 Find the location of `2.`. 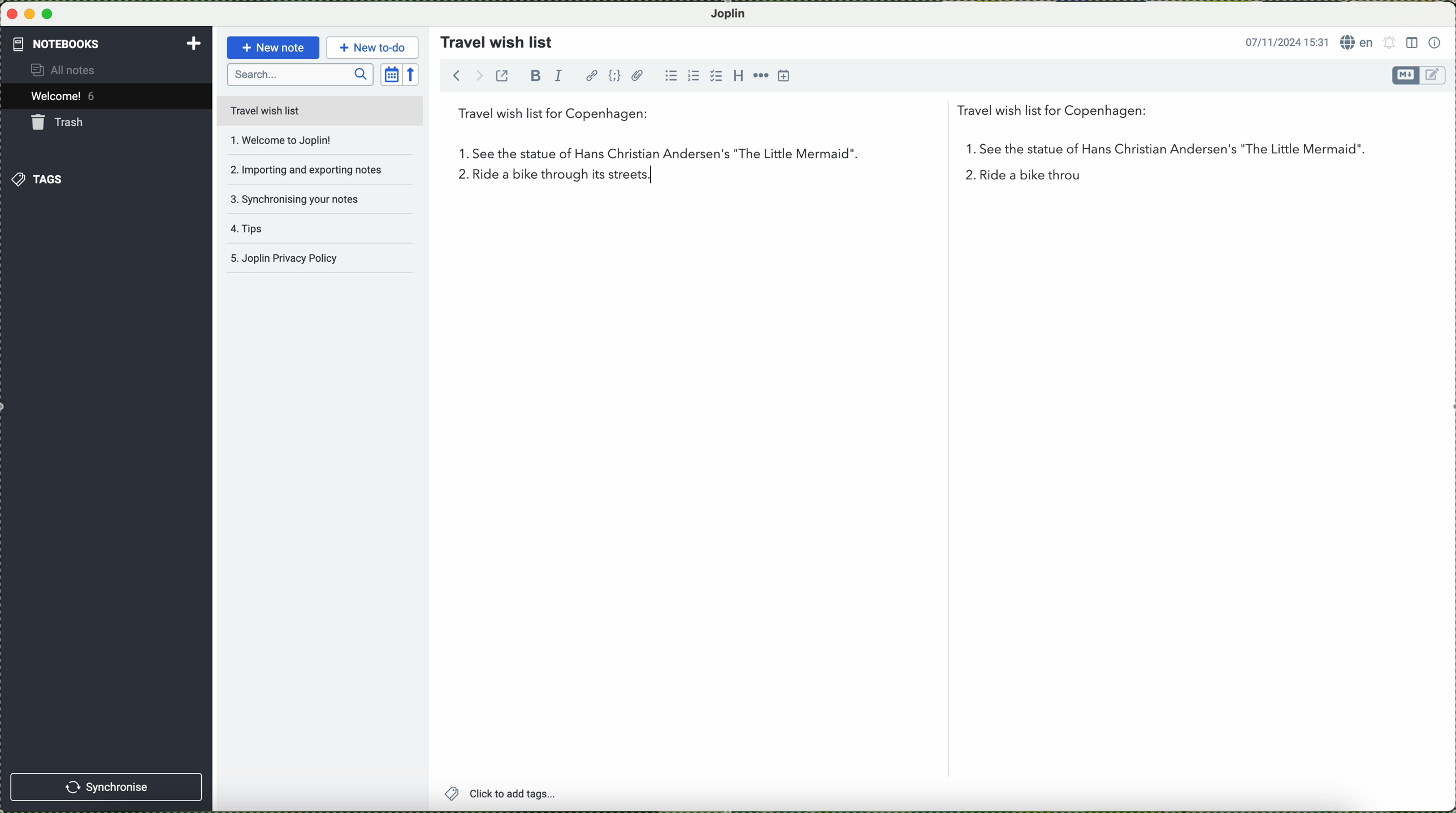

2. is located at coordinates (458, 178).